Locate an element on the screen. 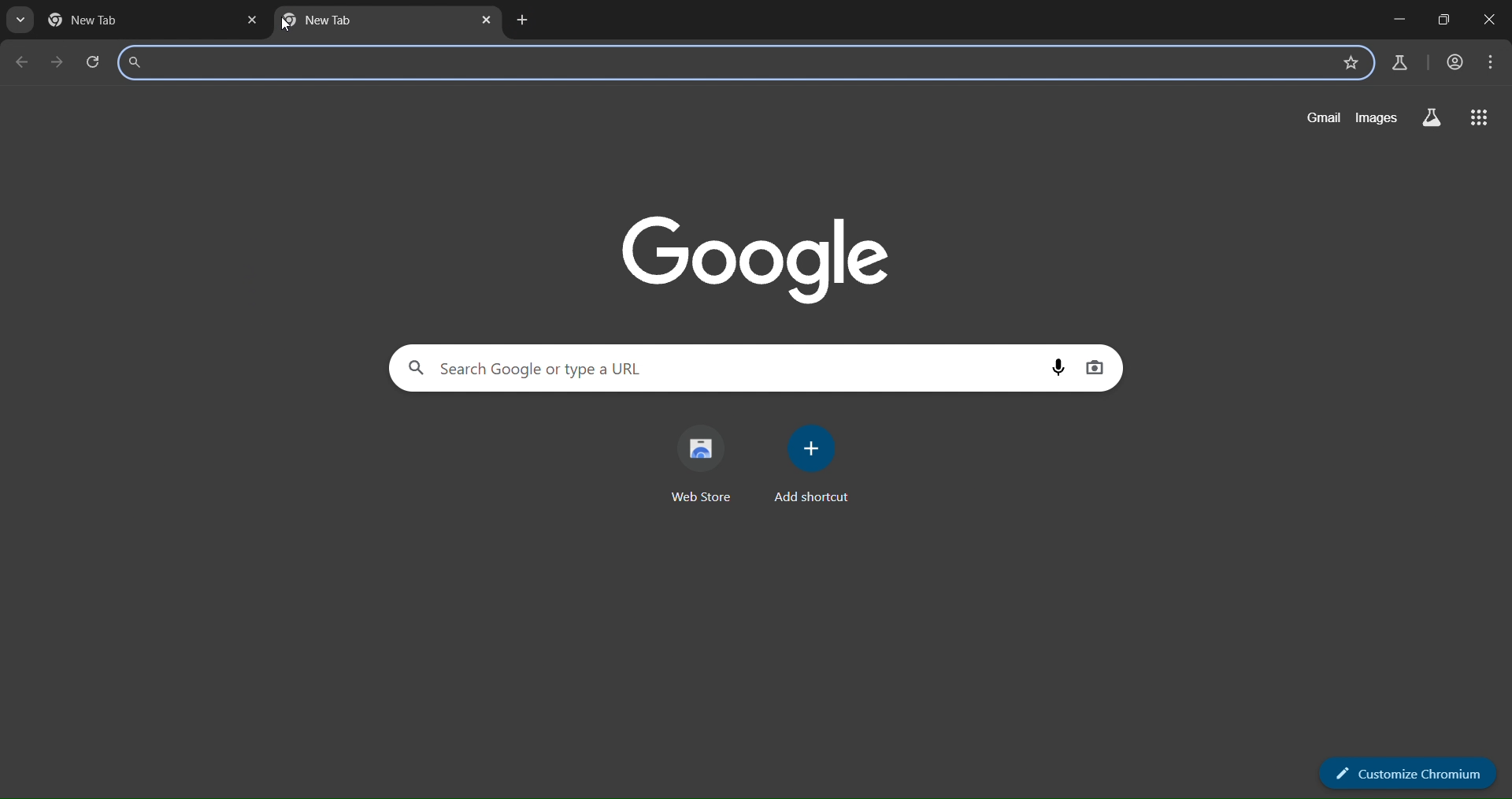 The height and width of the screenshot is (799, 1512). gmail is located at coordinates (1322, 117).